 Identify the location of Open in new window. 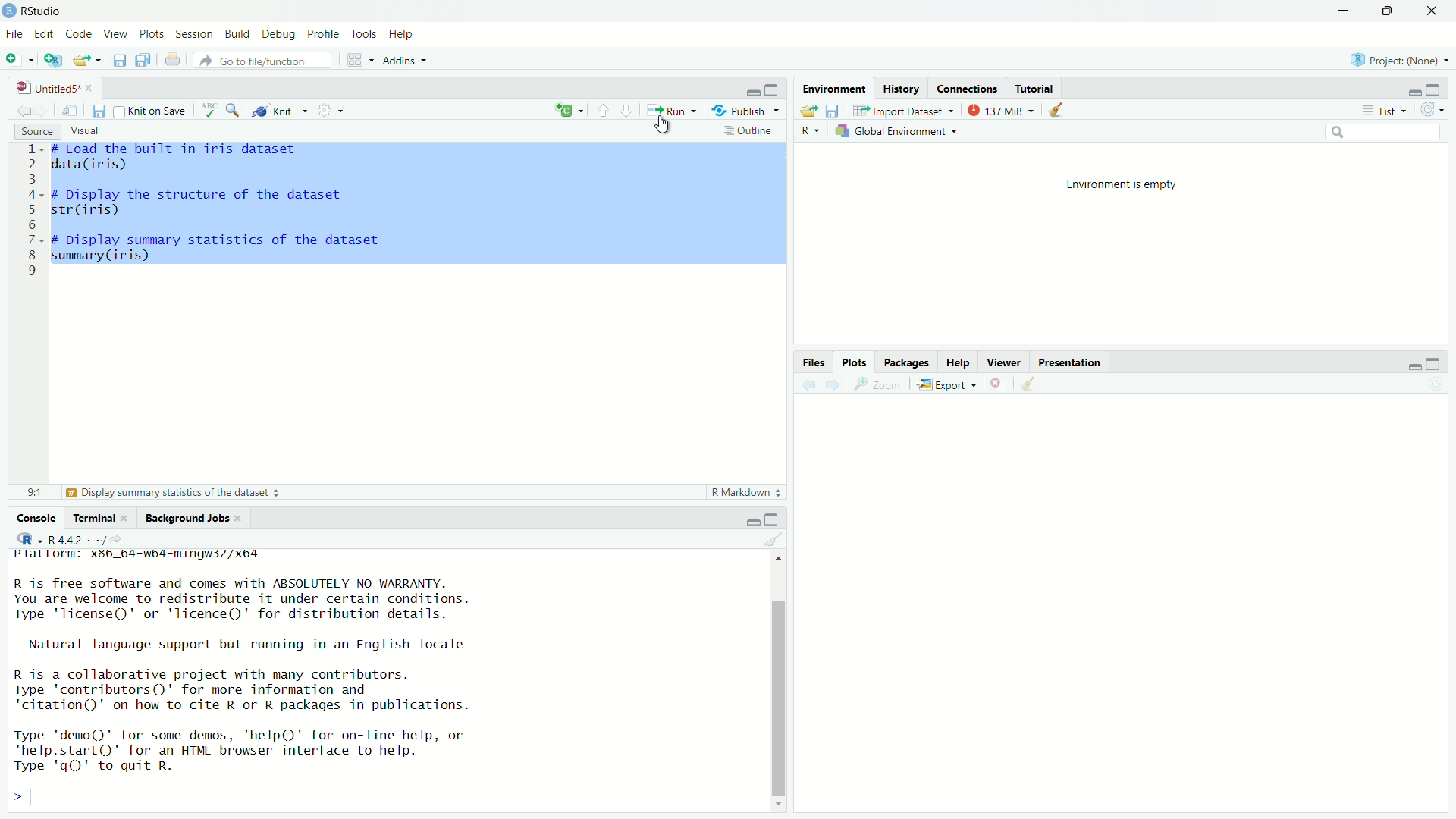
(71, 109).